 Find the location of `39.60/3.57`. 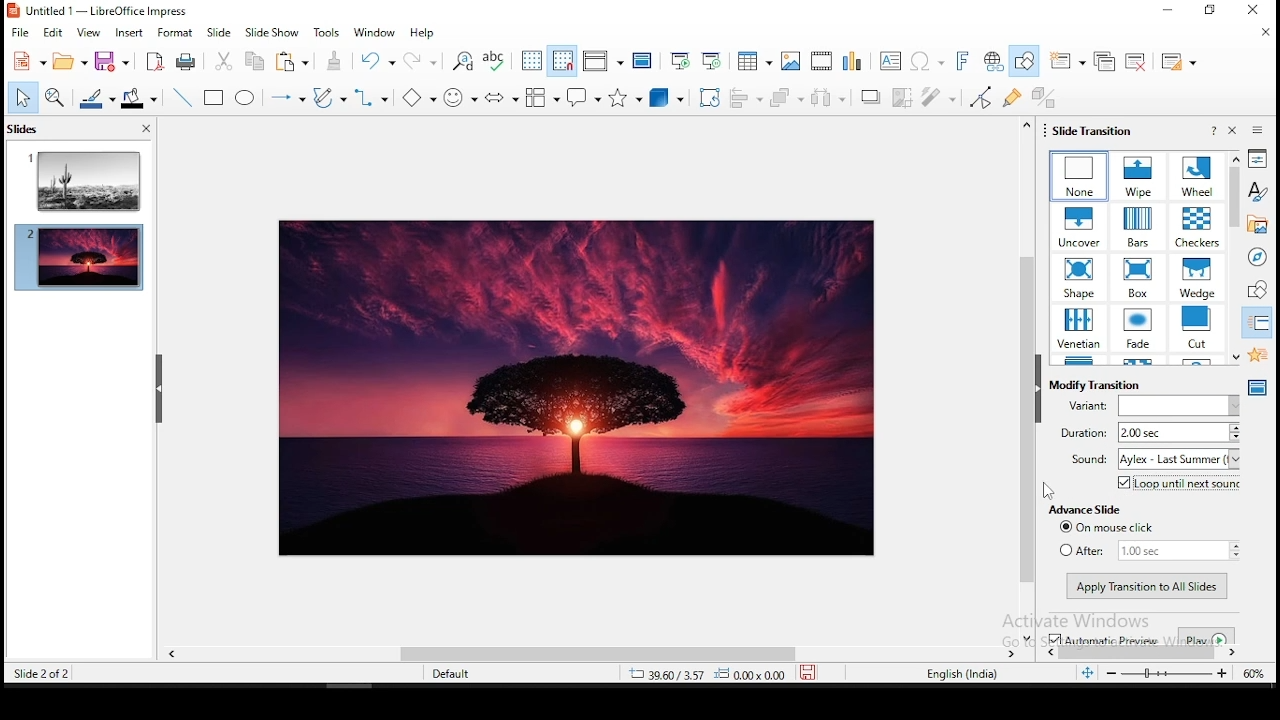

39.60/3.57 is located at coordinates (657, 676).